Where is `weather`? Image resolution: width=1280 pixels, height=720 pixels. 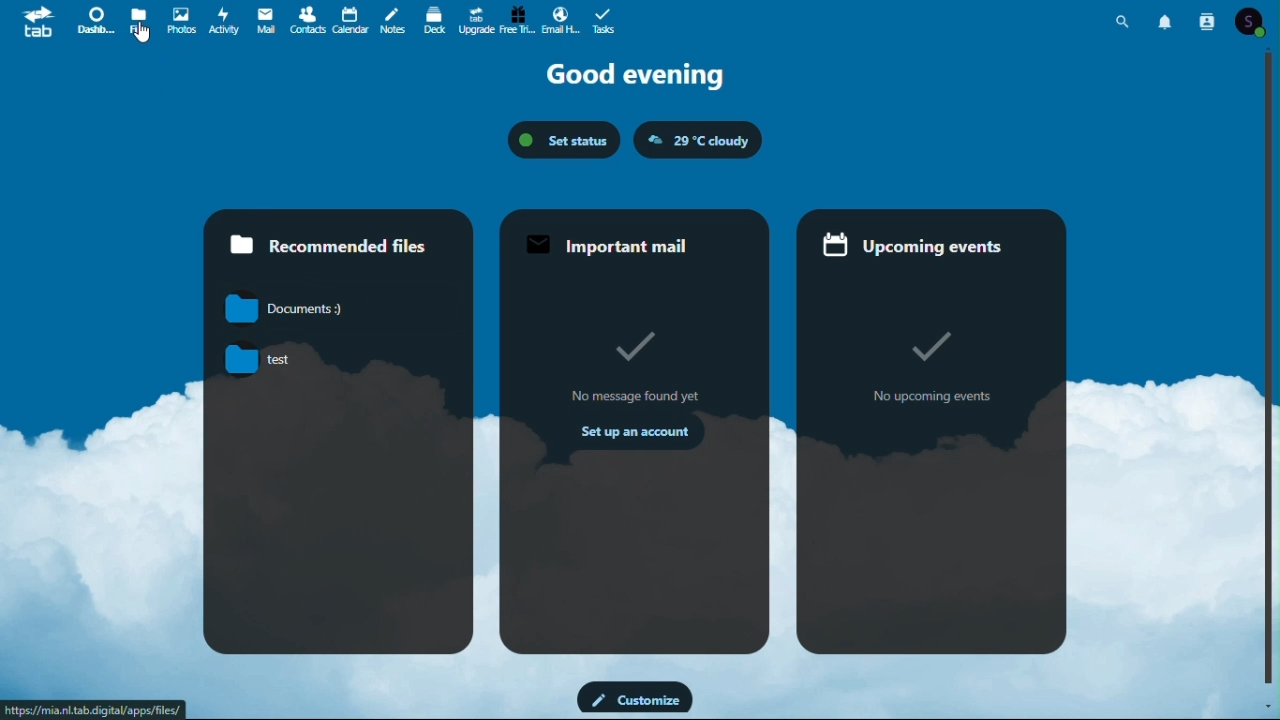 weather is located at coordinates (698, 139).